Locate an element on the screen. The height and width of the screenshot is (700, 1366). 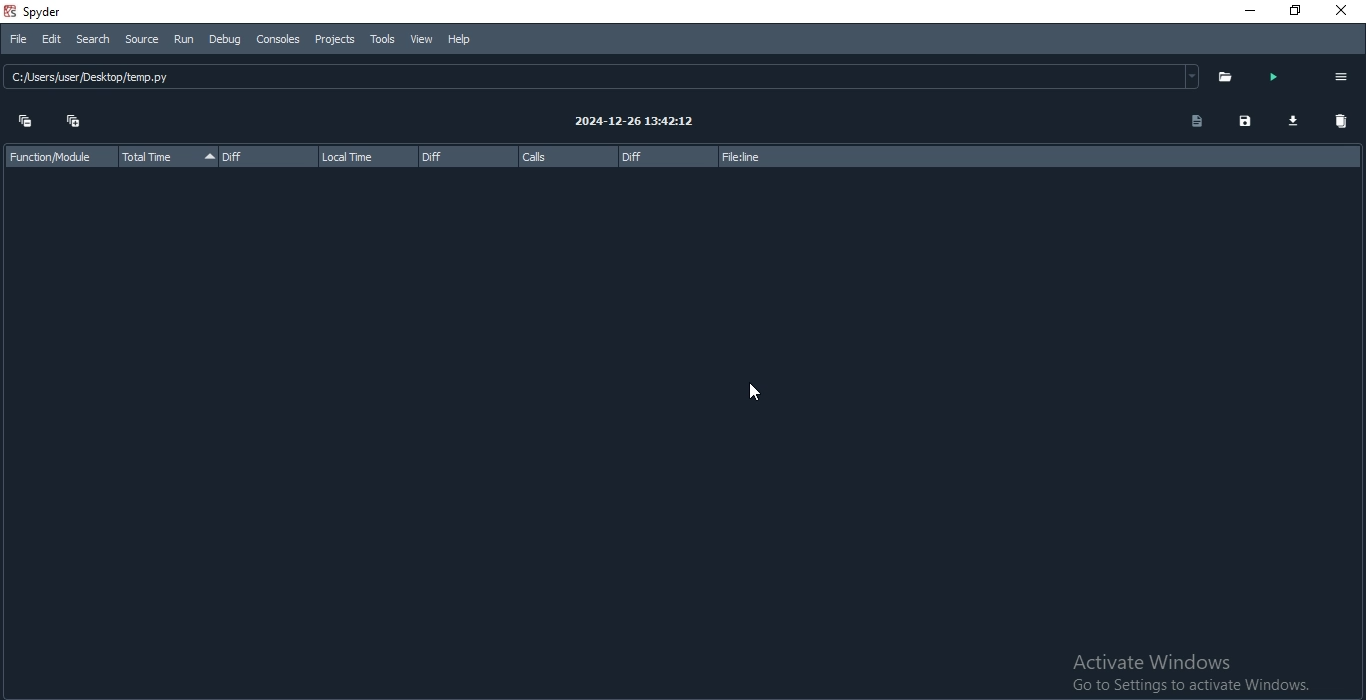
2024-12-26 13:42:12 is located at coordinates (641, 122).